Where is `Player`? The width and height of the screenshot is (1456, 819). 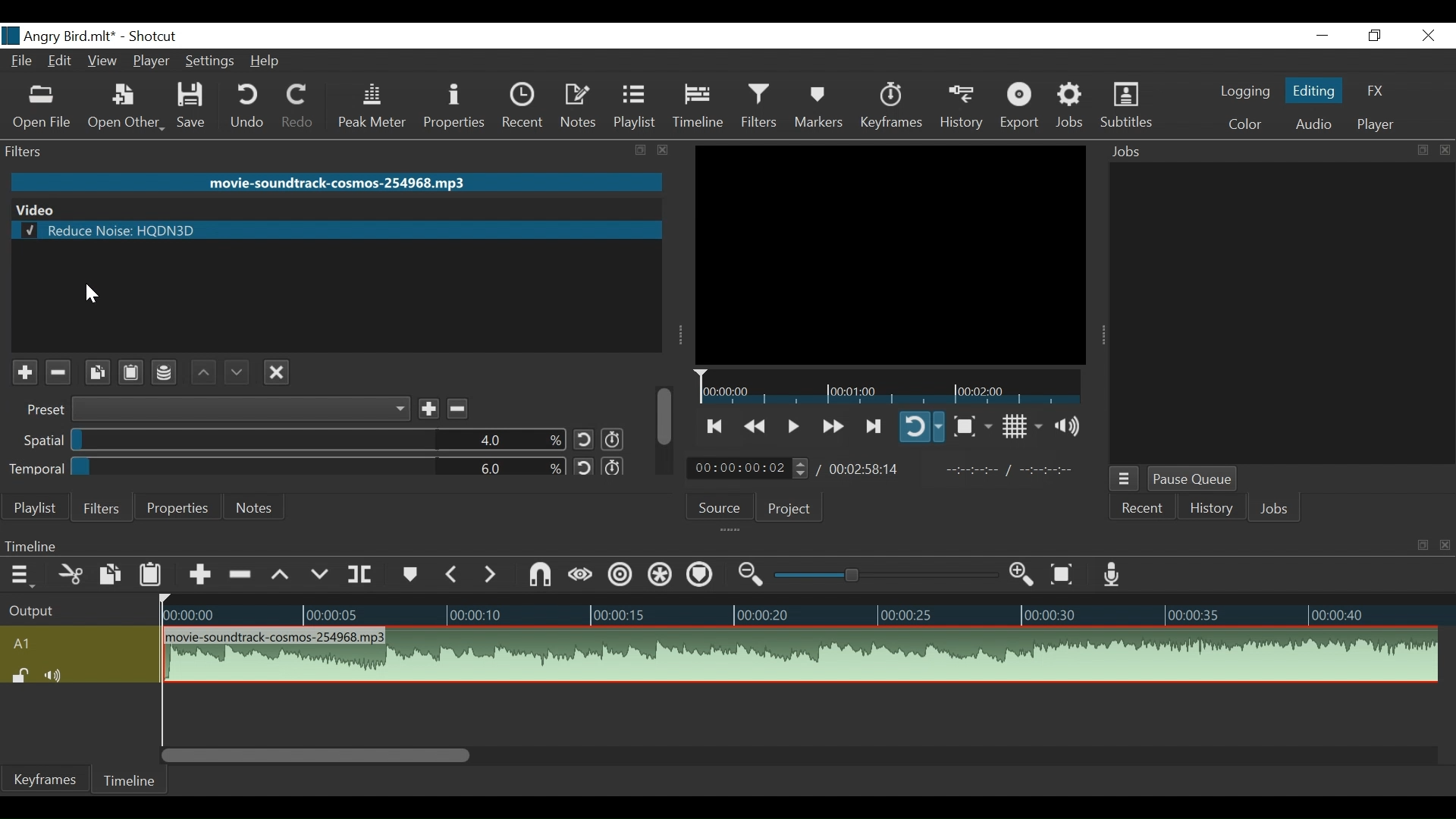 Player is located at coordinates (149, 63).